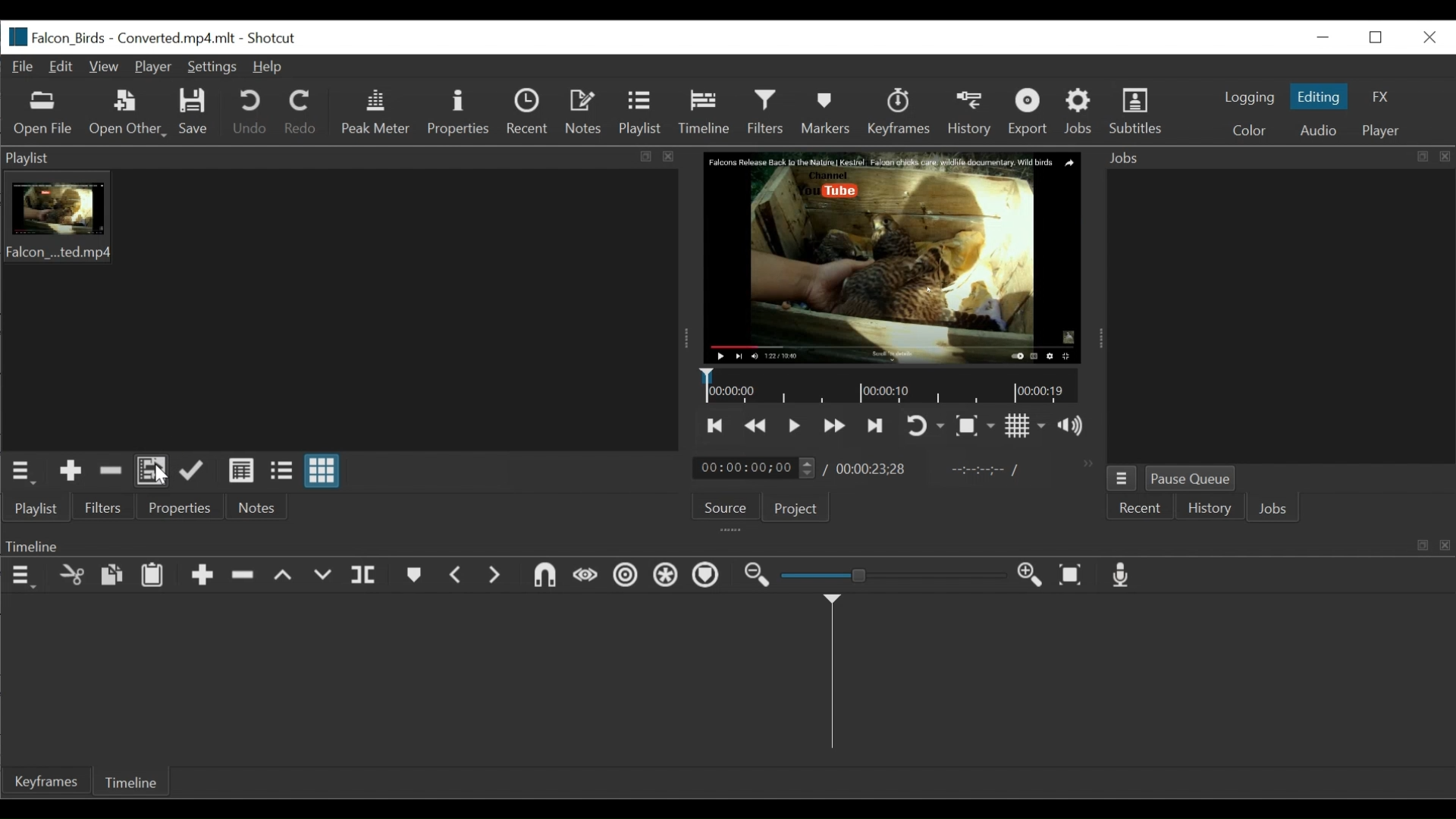  Describe the element at coordinates (152, 576) in the screenshot. I see `Paste` at that location.